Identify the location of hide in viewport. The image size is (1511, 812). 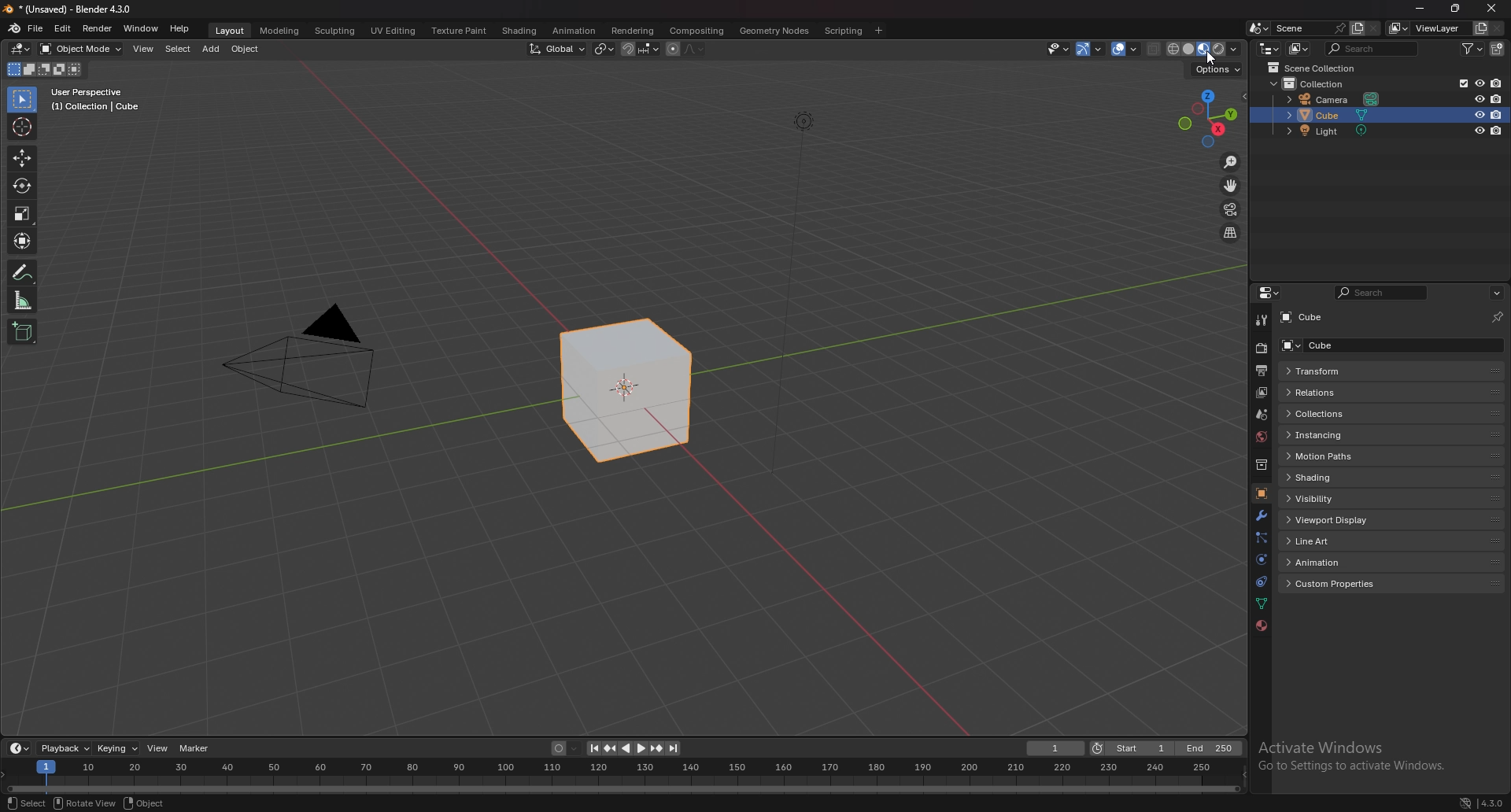
(1477, 98).